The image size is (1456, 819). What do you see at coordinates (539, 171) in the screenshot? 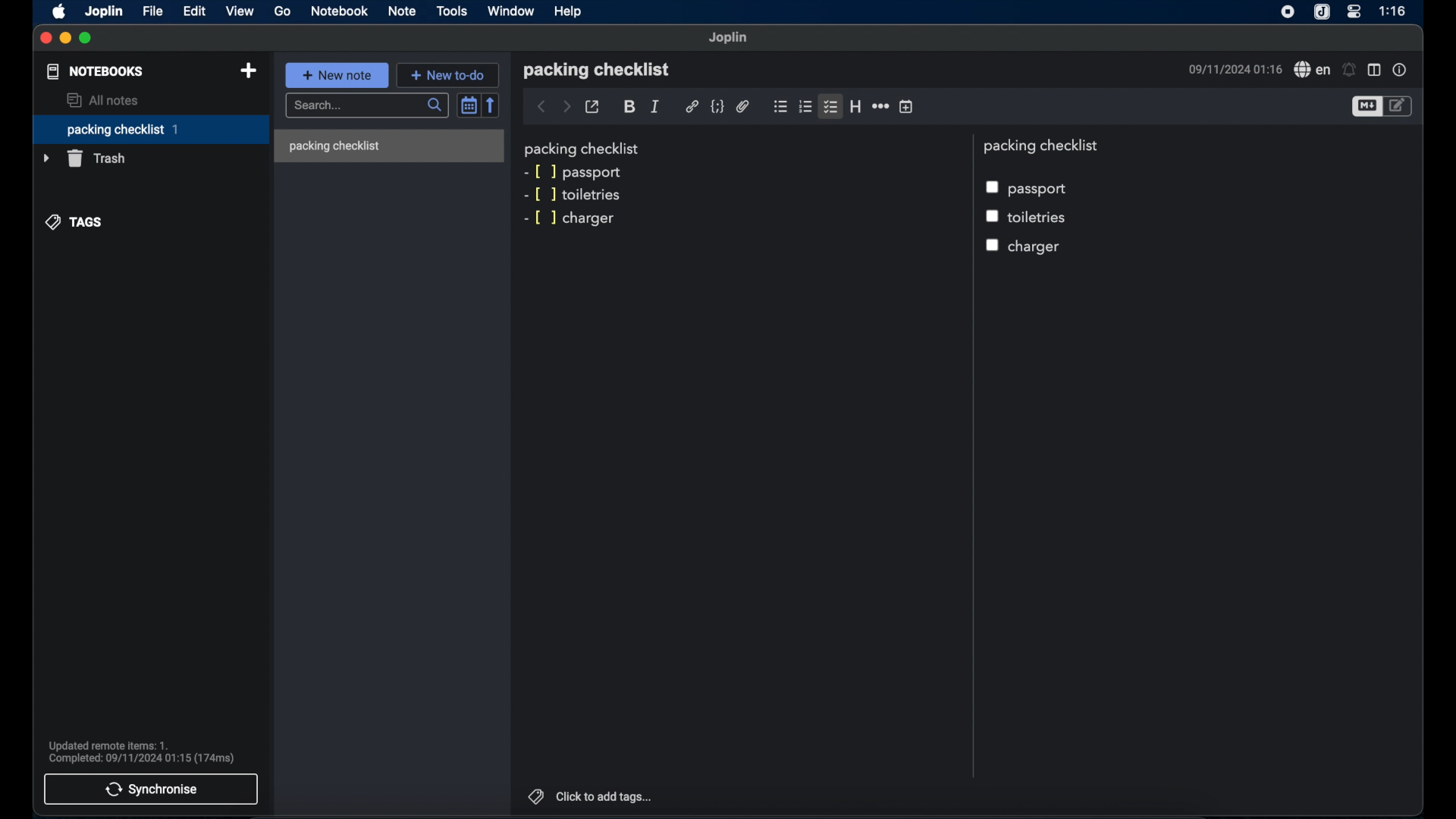
I see `markdown syntax` at bounding box center [539, 171].